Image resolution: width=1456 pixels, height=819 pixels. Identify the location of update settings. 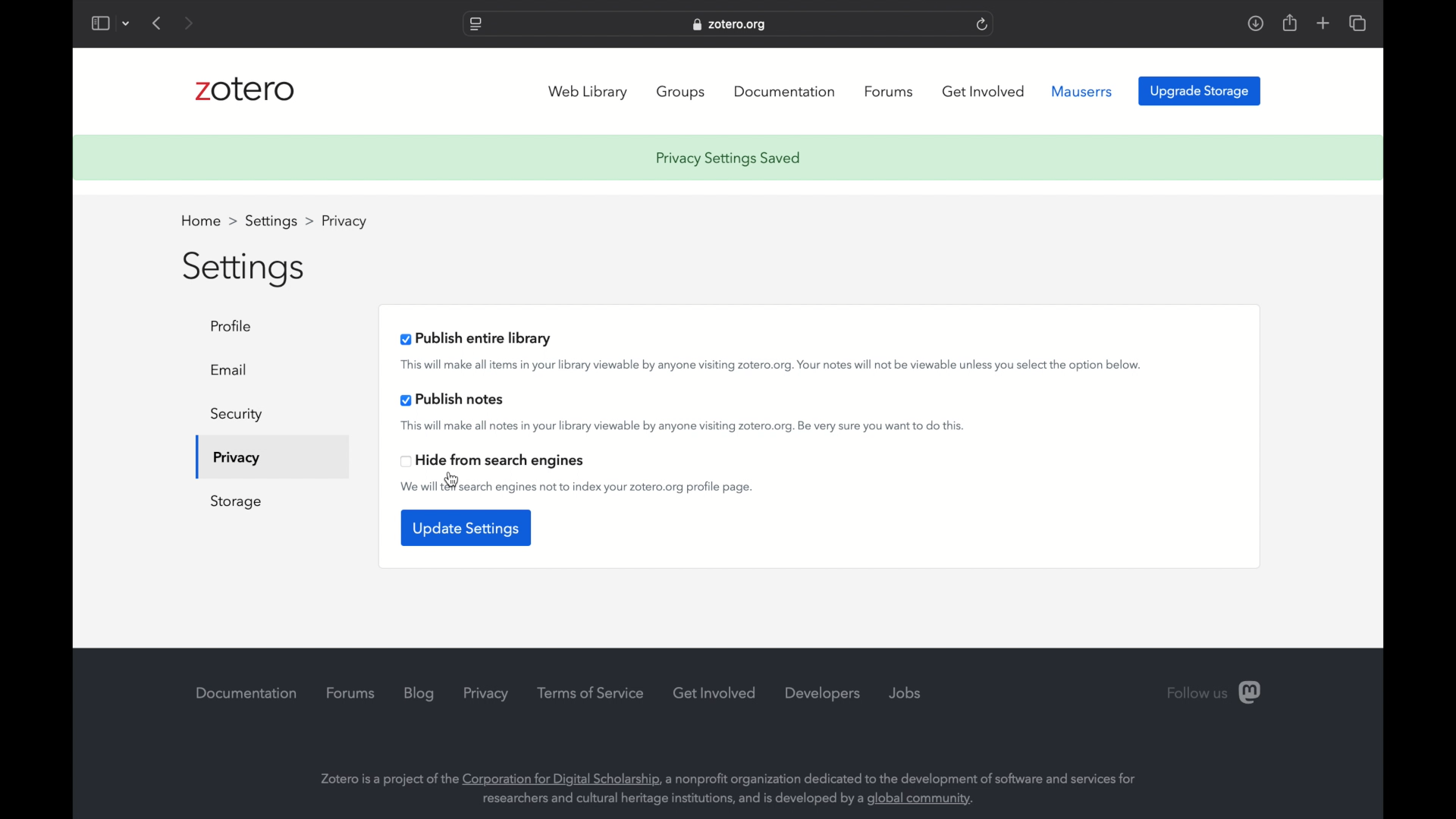
(466, 529).